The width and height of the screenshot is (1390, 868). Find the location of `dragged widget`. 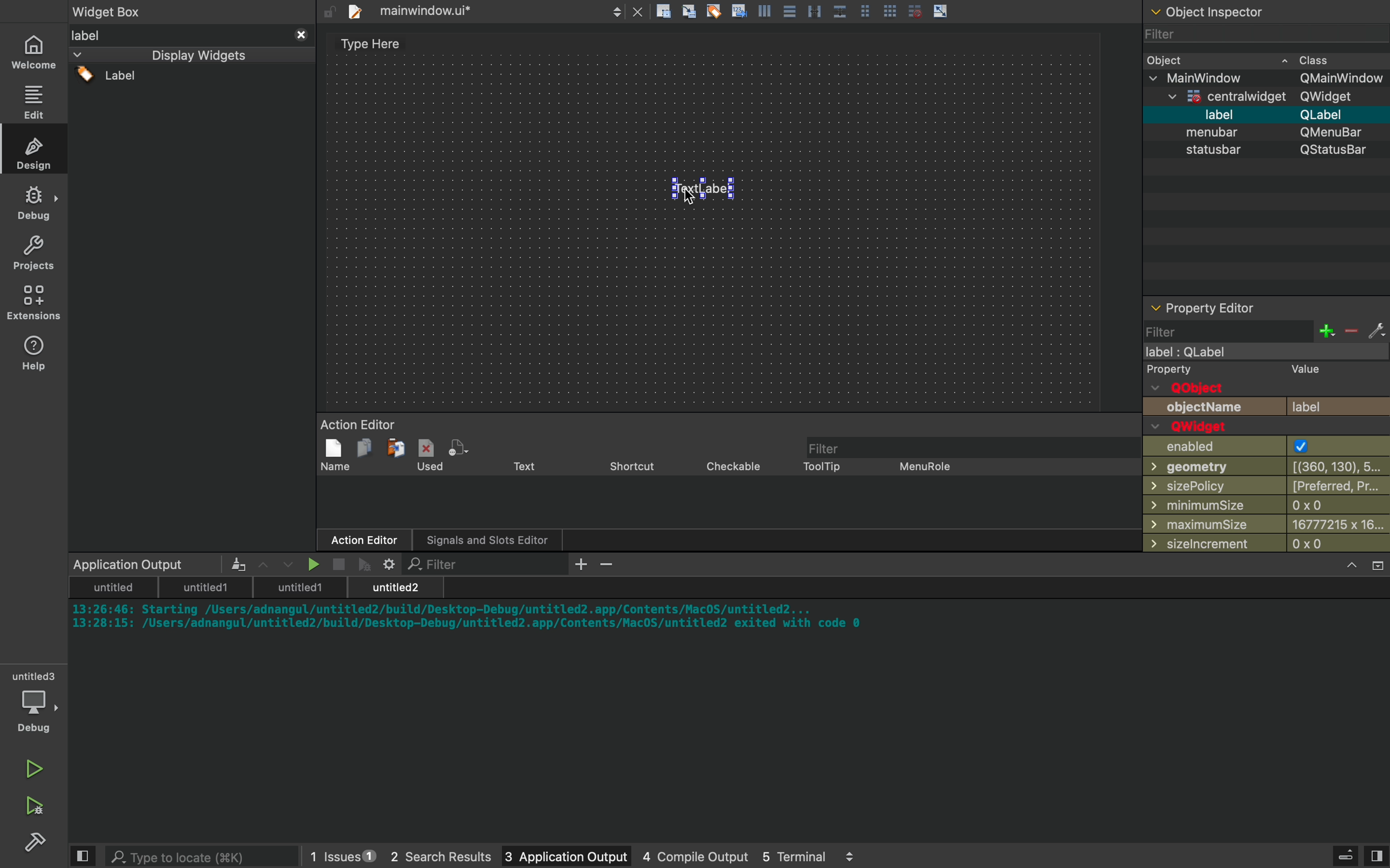

dragged widget is located at coordinates (706, 196).